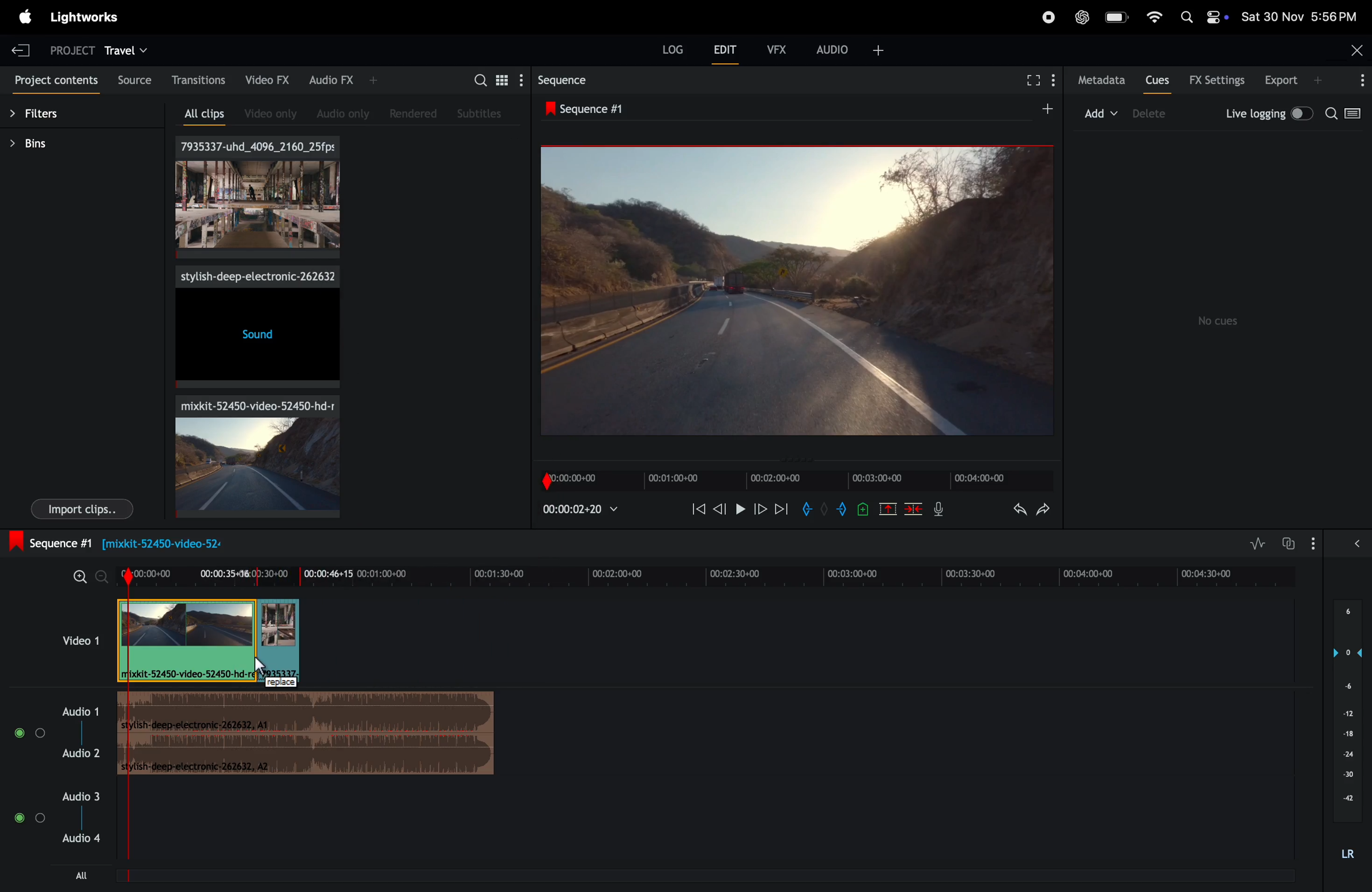  What do you see at coordinates (198, 115) in the screenshot?
I see `all clips` at bounding box center [198, 115].